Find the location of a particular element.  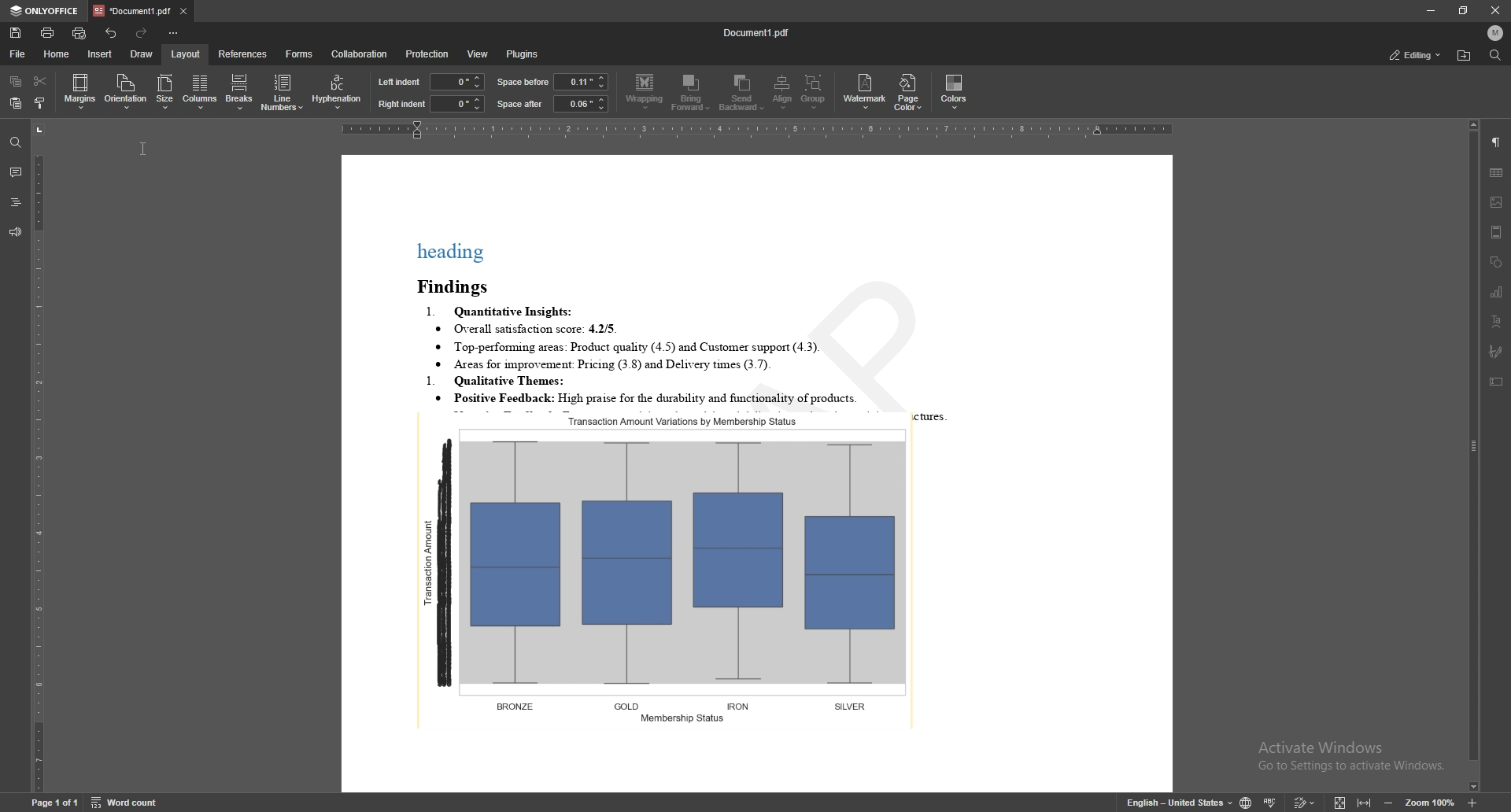

save is located at coordinates (16, 32).